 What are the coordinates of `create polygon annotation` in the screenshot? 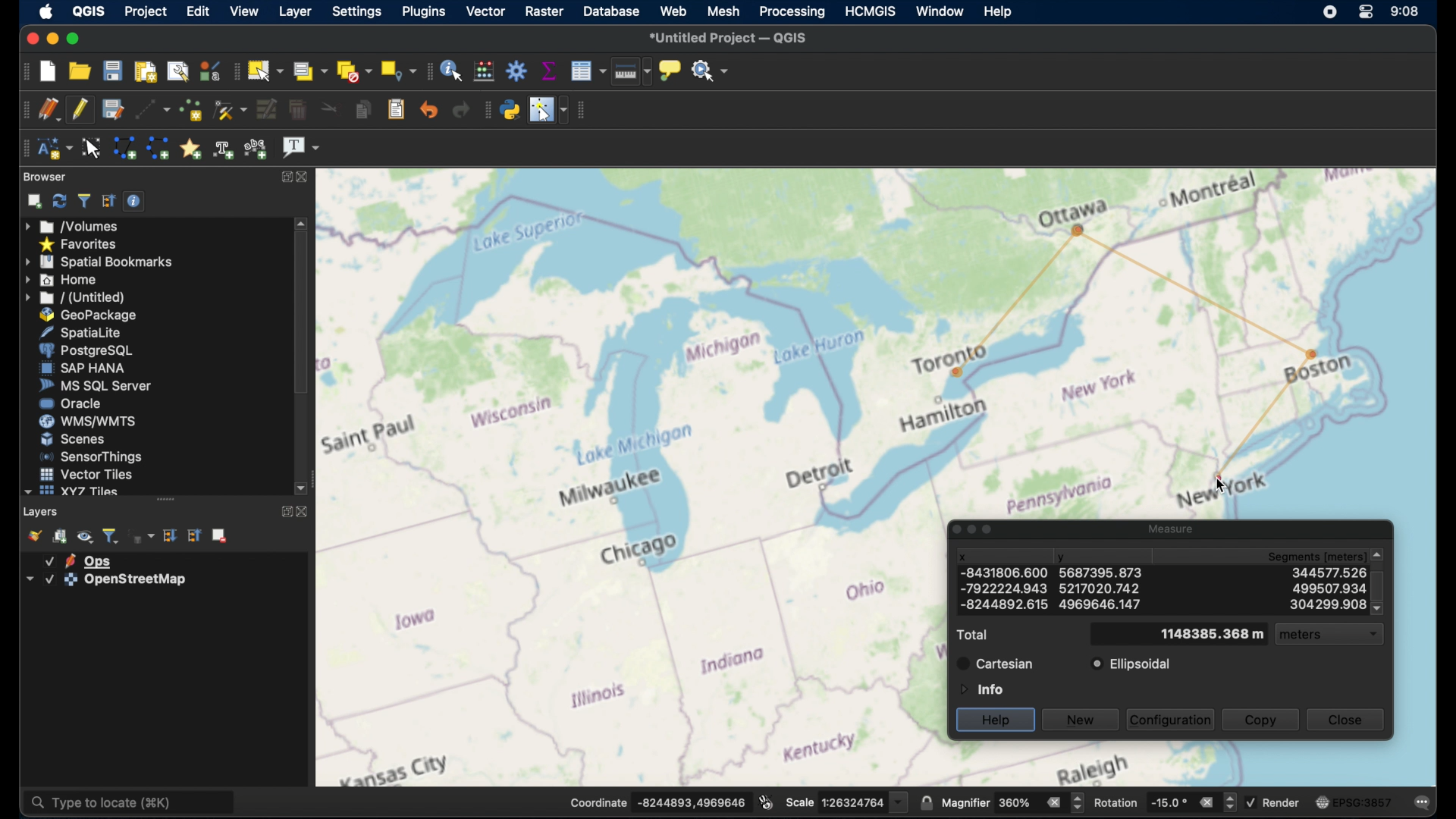 It's located at (124, 149).